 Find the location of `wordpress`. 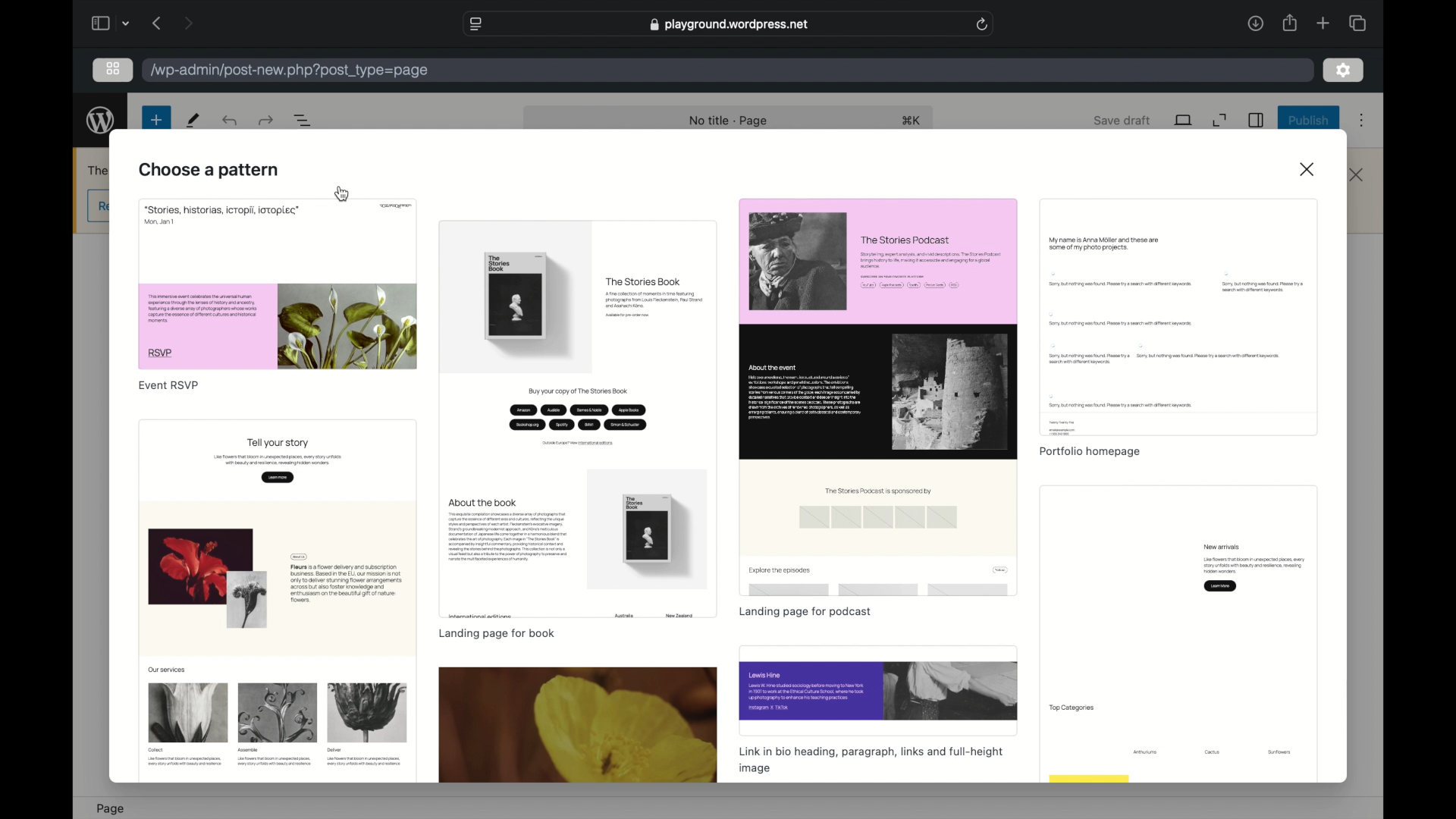

wordpress is located at coordinates (101, 122).